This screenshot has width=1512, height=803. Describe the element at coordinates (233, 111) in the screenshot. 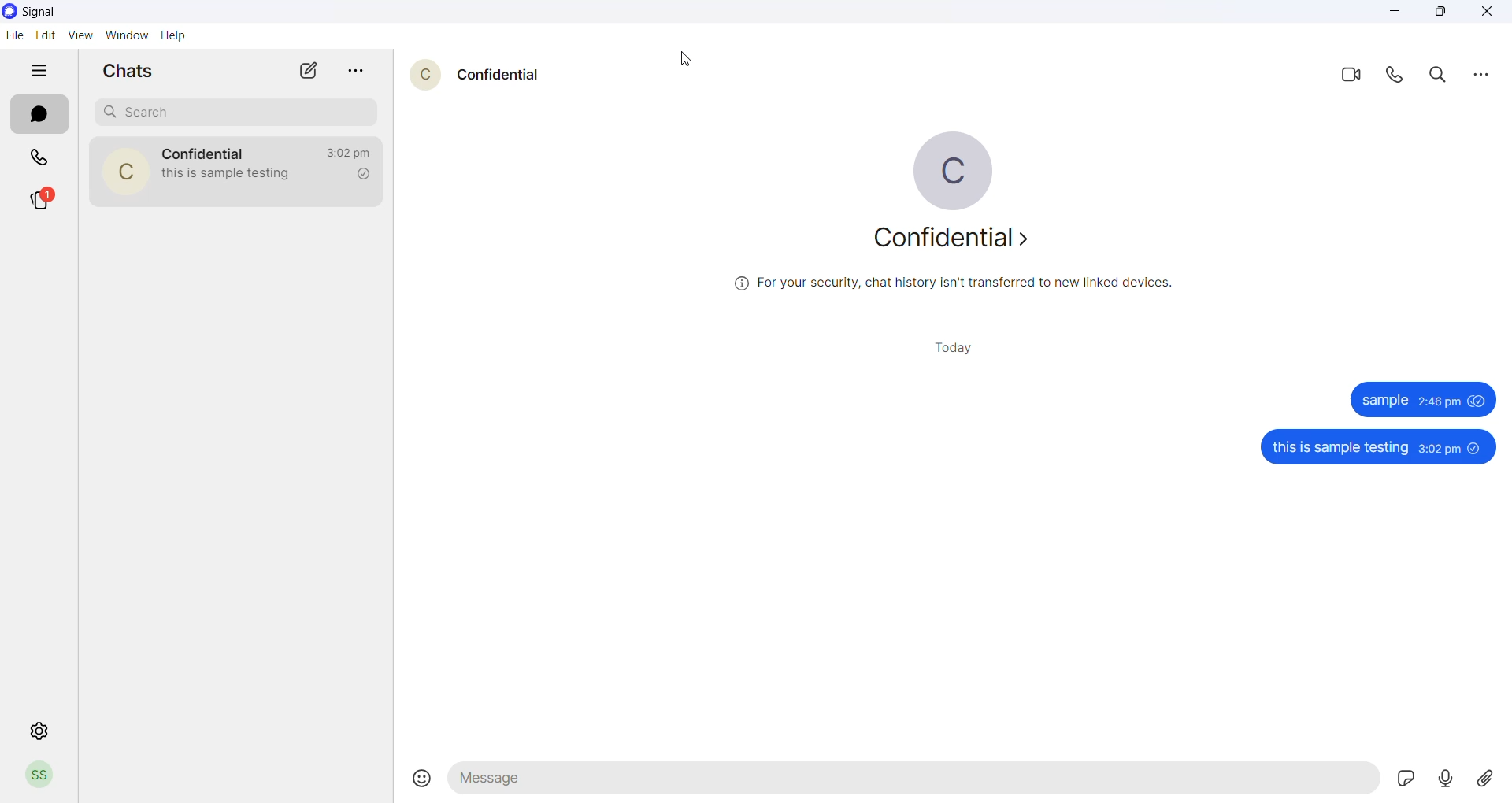

I see `search box` at that location.